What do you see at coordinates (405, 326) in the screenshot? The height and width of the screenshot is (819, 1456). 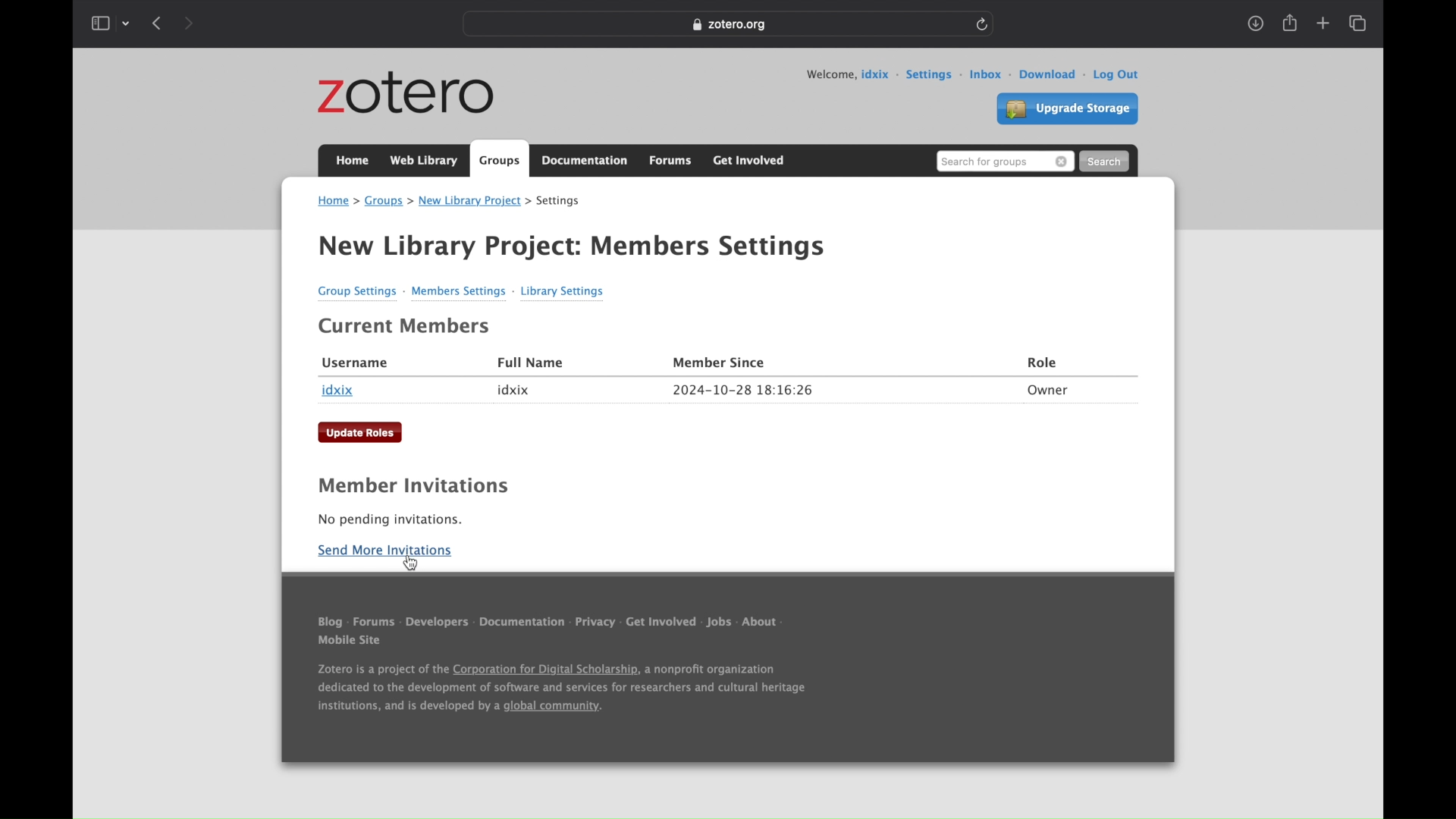 I see `current members` at bounding box center [405, 326].